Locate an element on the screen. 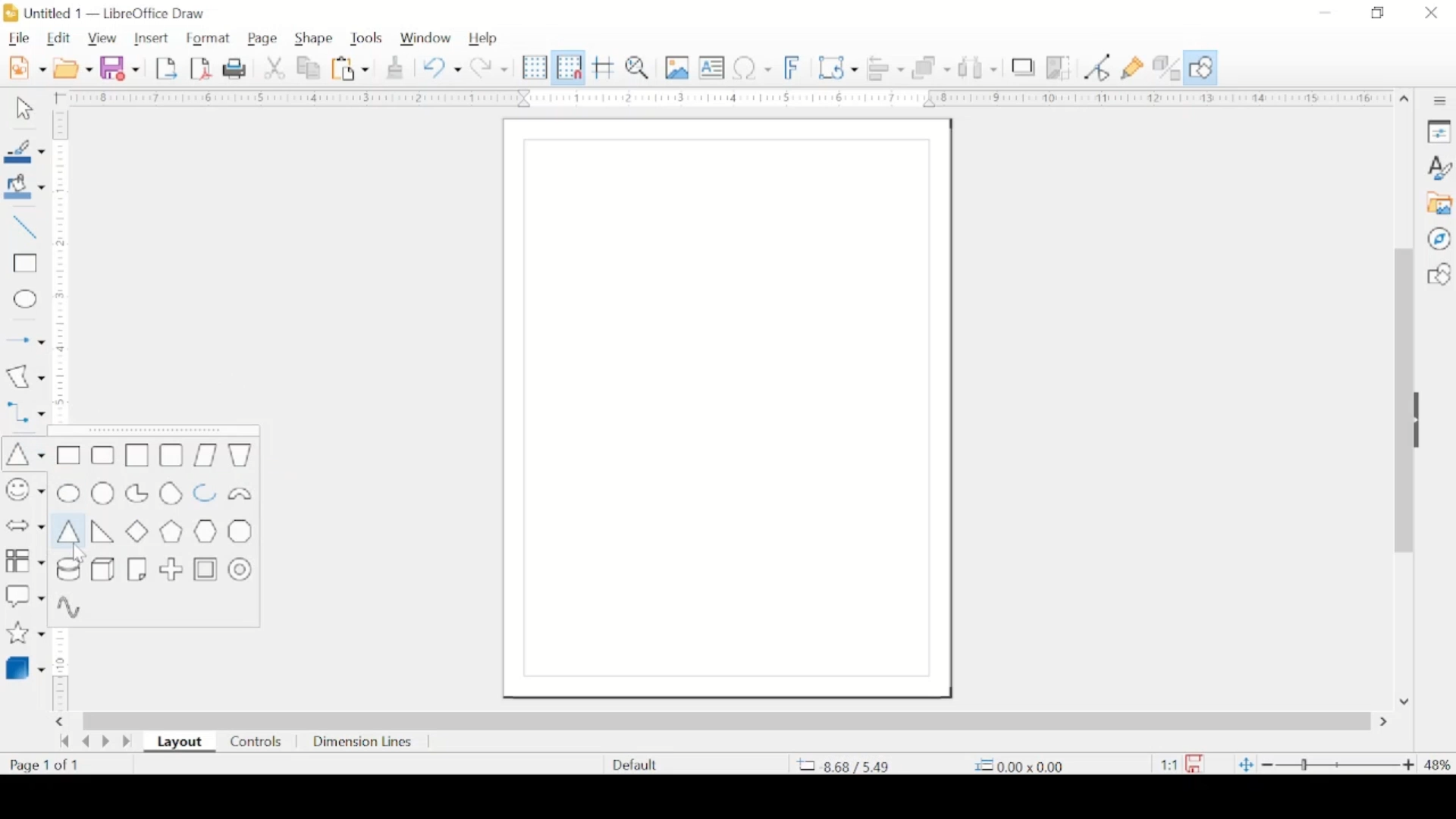 The width and height of the screenshot is (1456, 819). undo is located at coordinates (442, 68).